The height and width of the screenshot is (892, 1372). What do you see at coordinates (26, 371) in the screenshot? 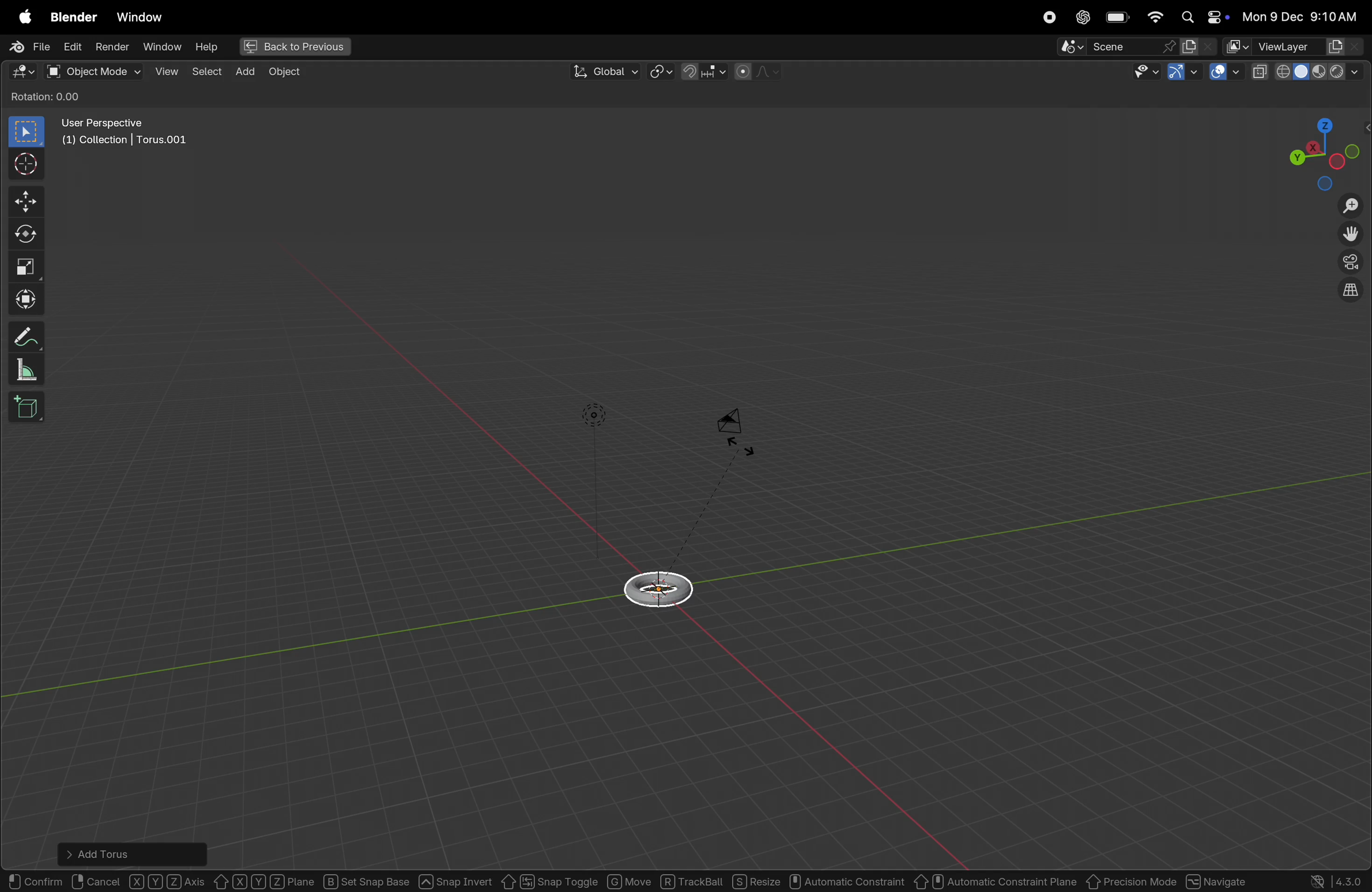
I see `measure` at bounding box center [26, 371].